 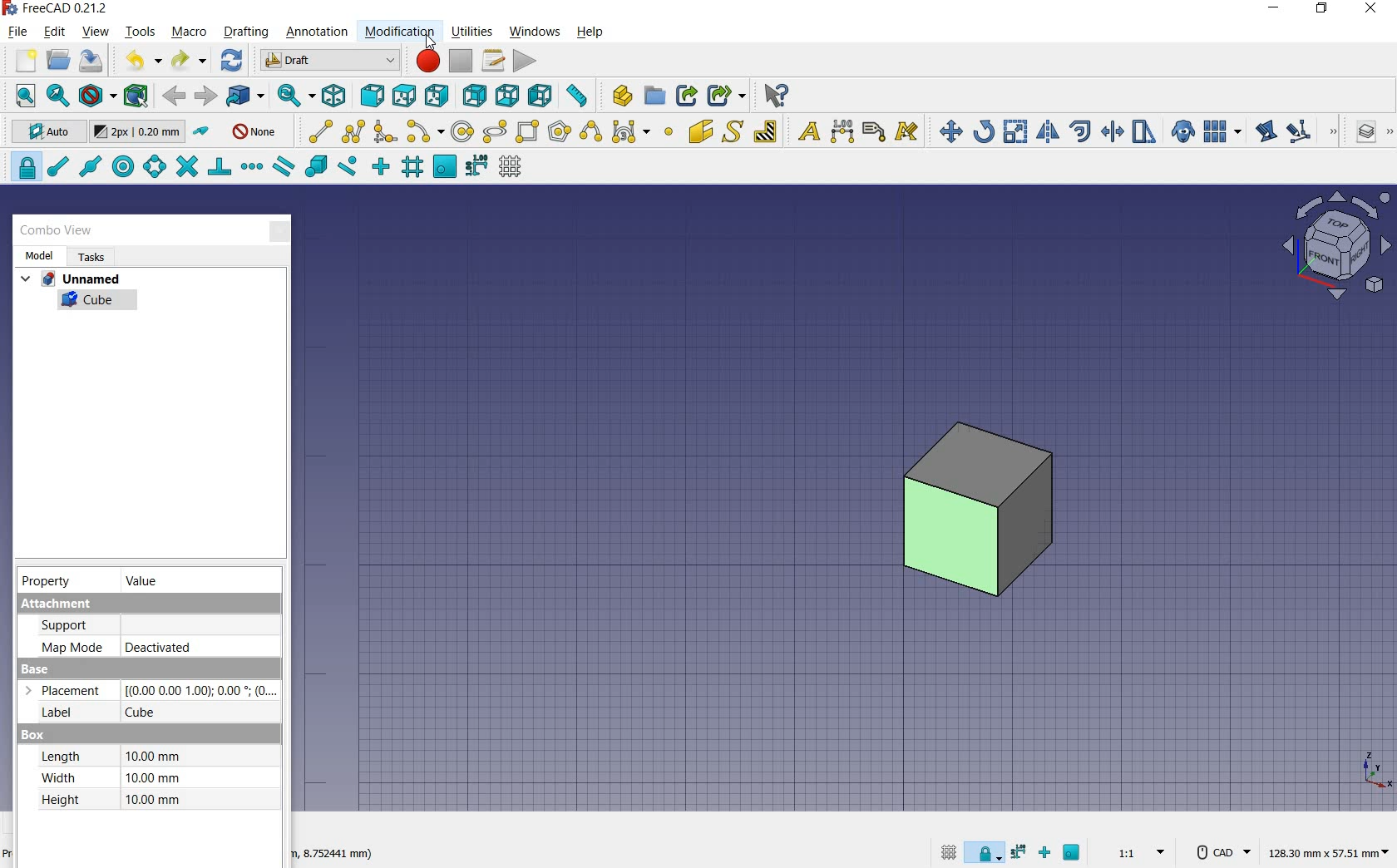 I want to click on hatch, so click(x=766, y=131).